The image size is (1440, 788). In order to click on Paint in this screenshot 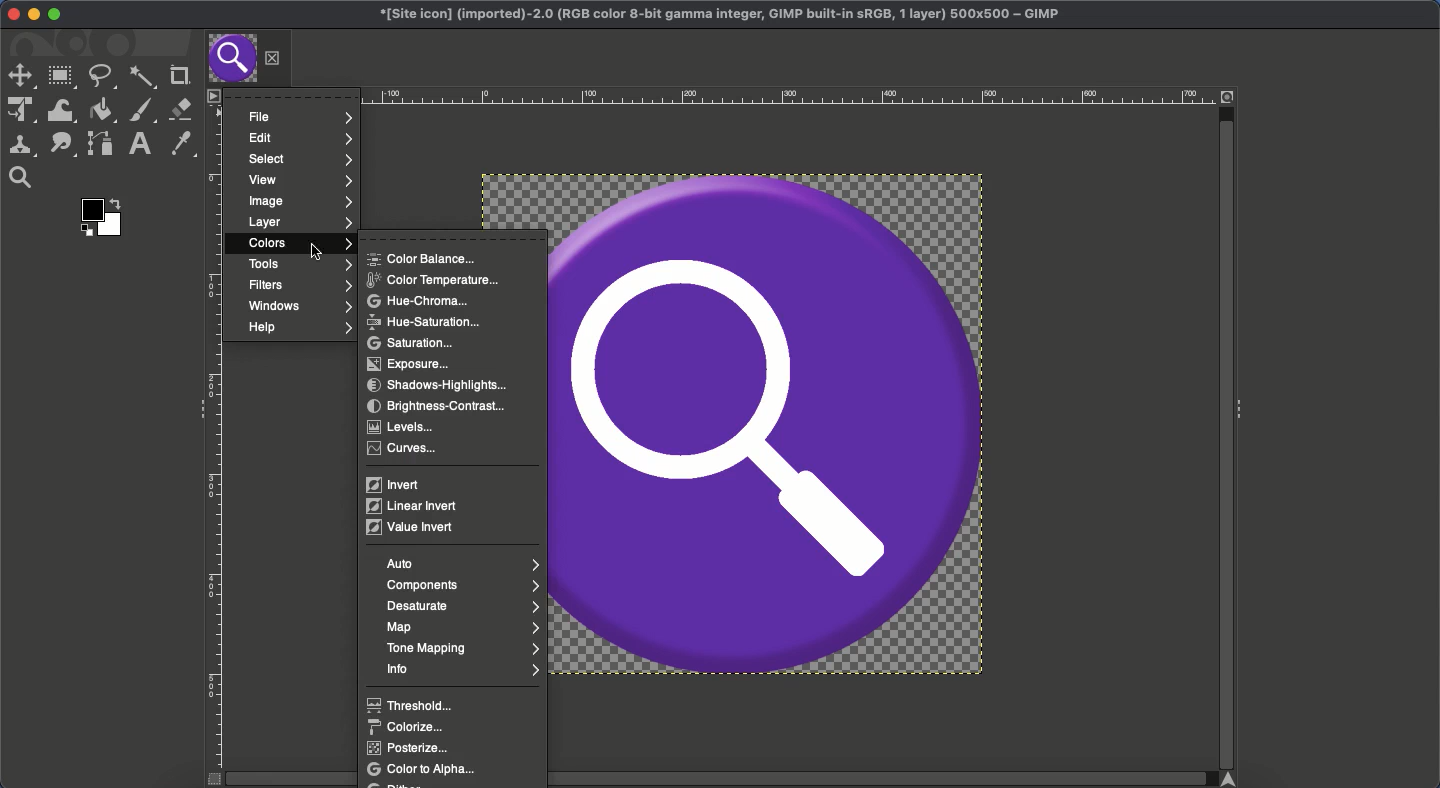, I will do `click(142, 111)`.